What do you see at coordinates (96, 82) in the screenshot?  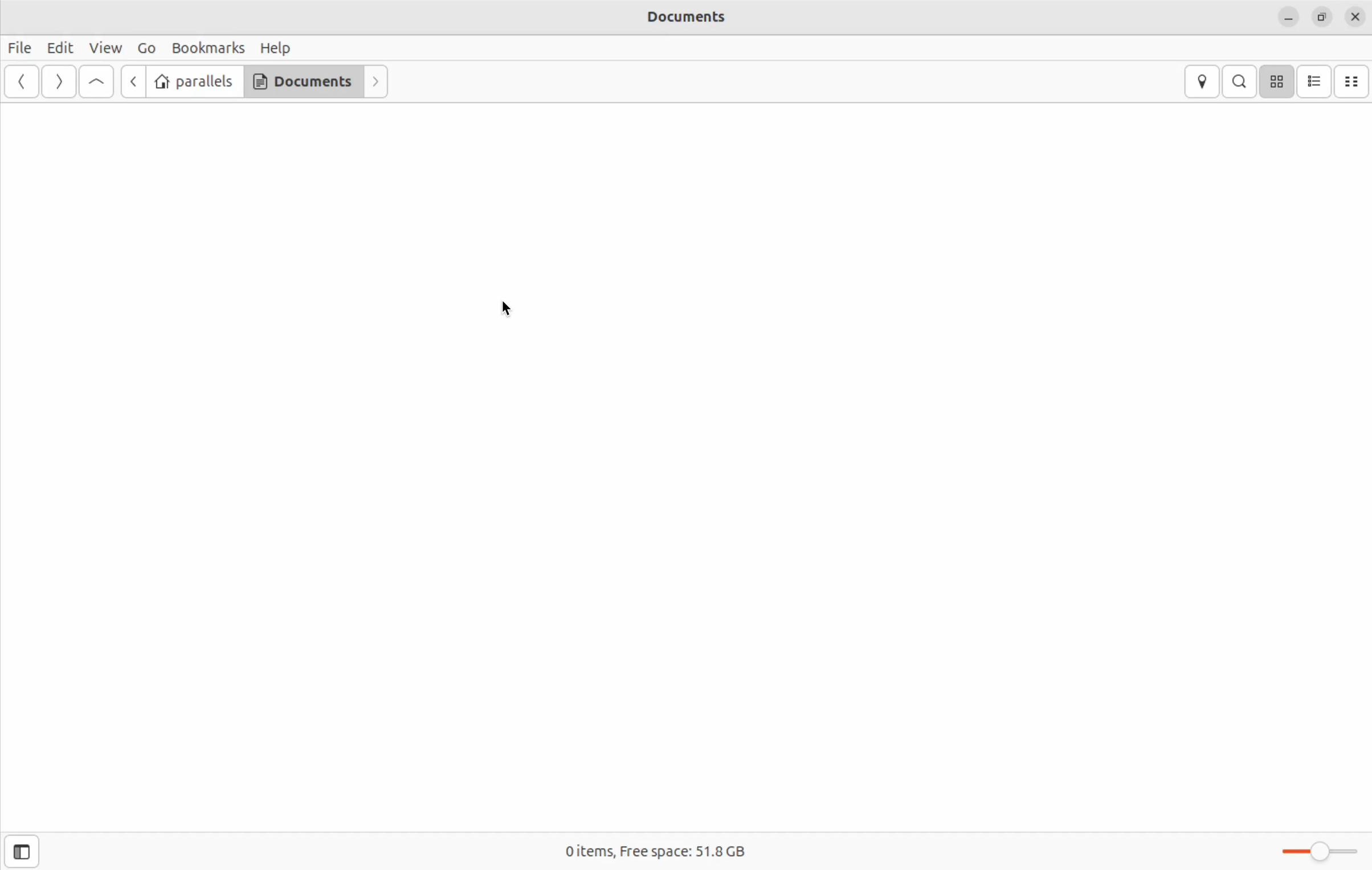 I see `go to first file` at bounding box center [96, 82].